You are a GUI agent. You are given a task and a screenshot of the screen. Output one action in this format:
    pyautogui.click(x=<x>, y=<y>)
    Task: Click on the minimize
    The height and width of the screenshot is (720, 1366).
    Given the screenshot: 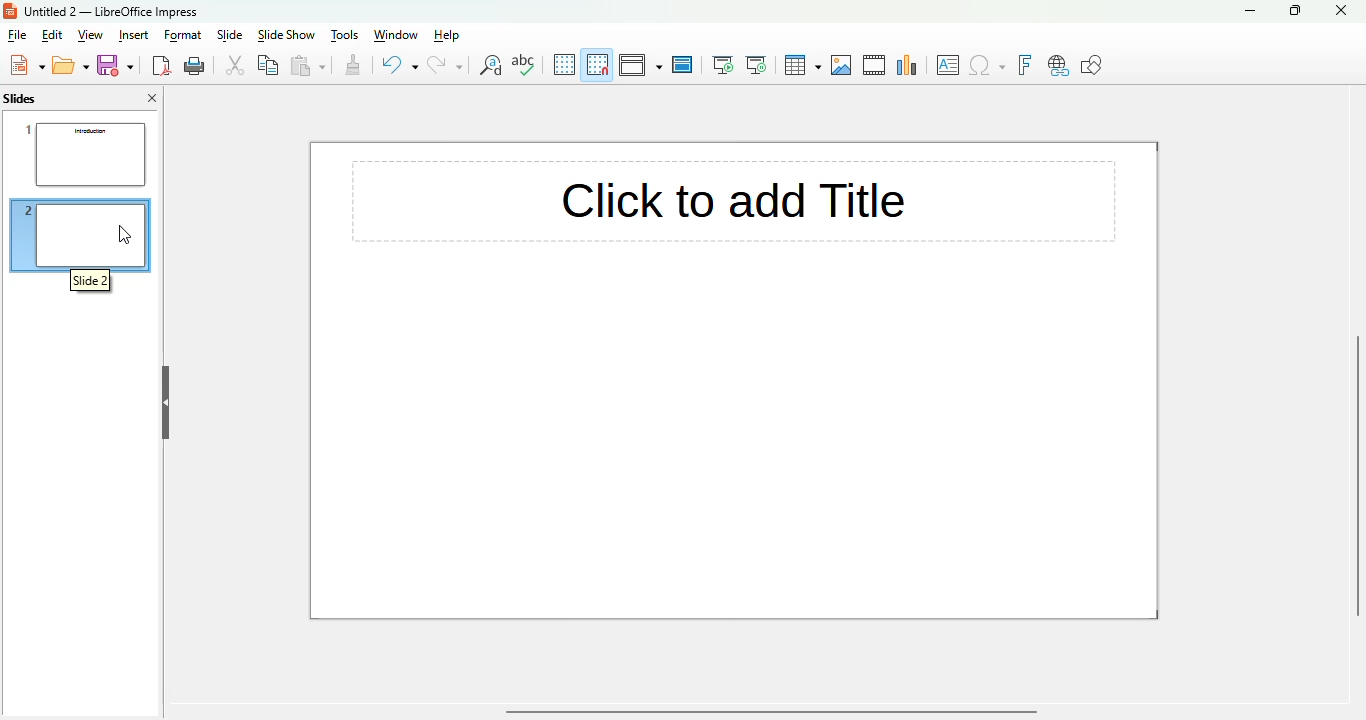 What is the action you would take?
    pyautogui.click(x=1252, y=10)
    